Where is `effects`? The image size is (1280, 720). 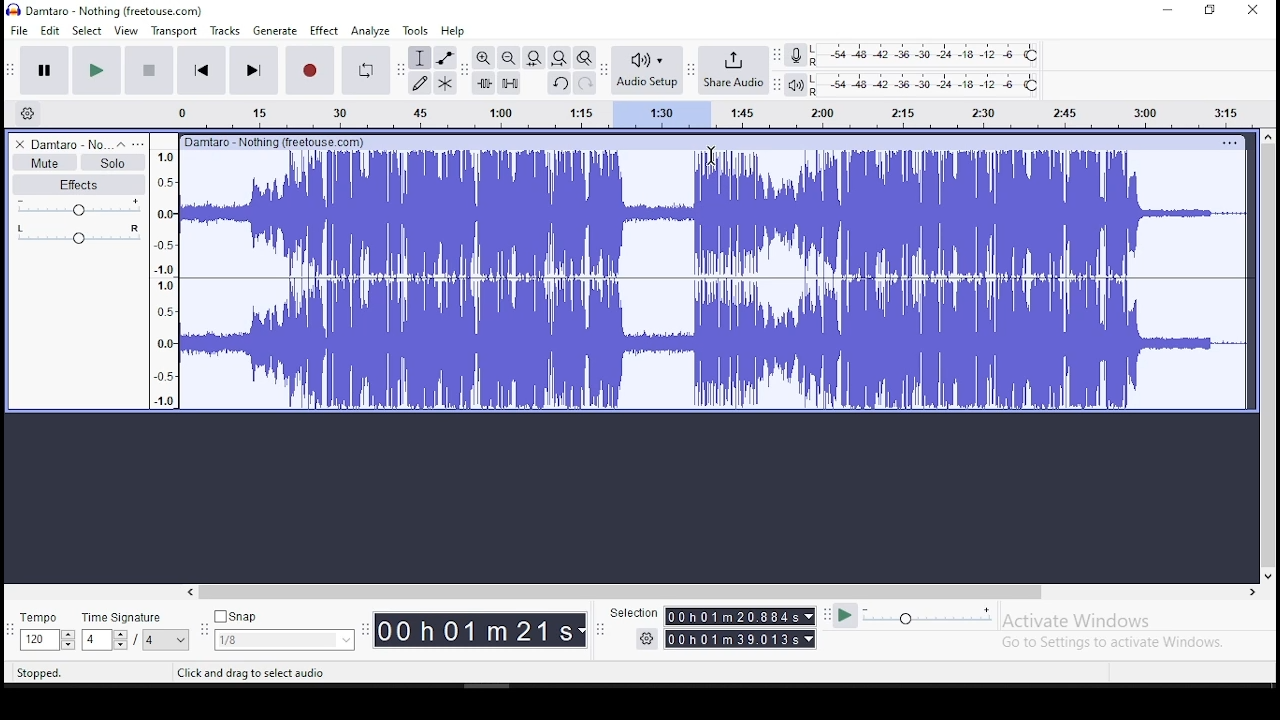 effects is located at coordinates (79, 184).